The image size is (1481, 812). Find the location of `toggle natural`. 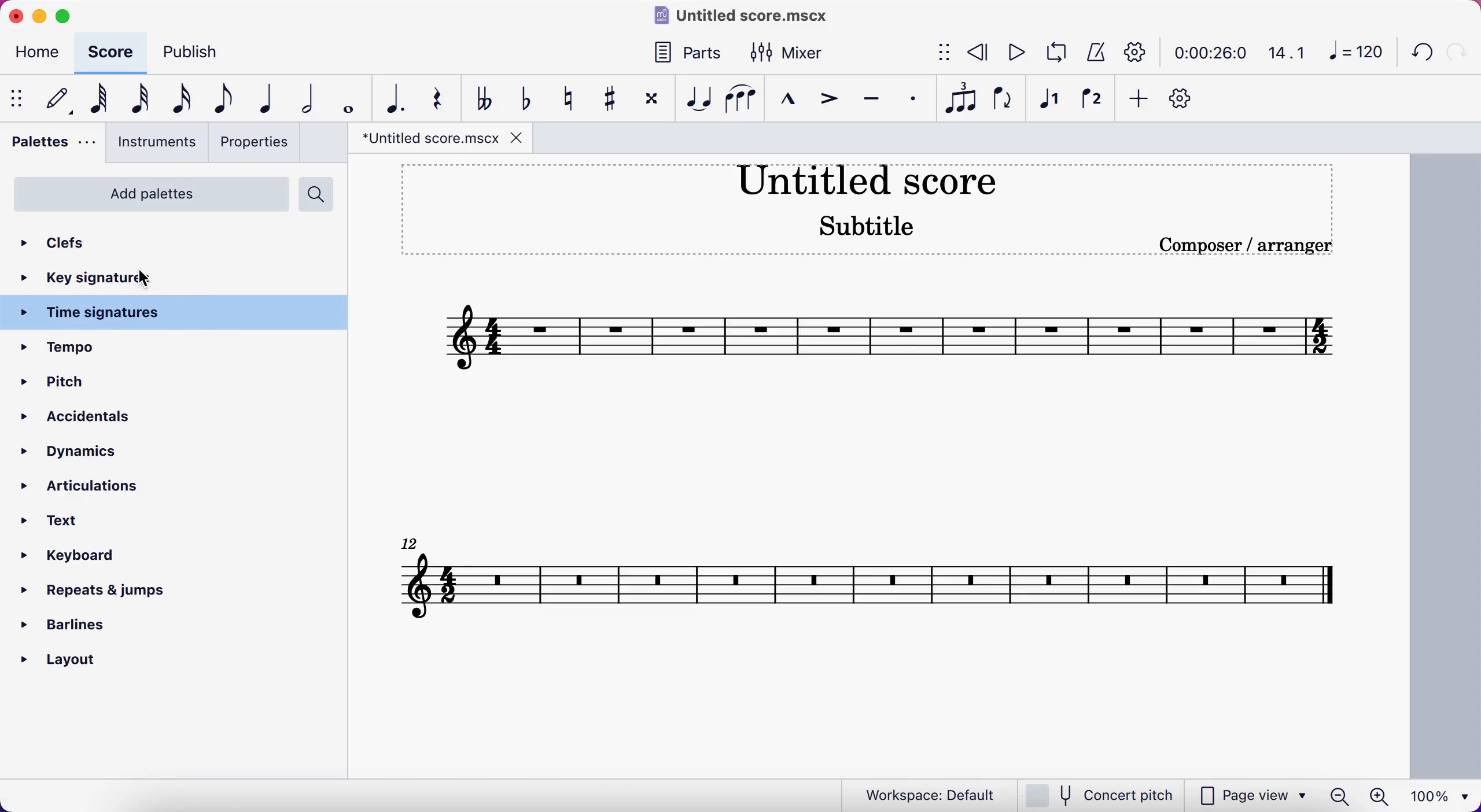

toggle natural is located at coordinates (571, 101).